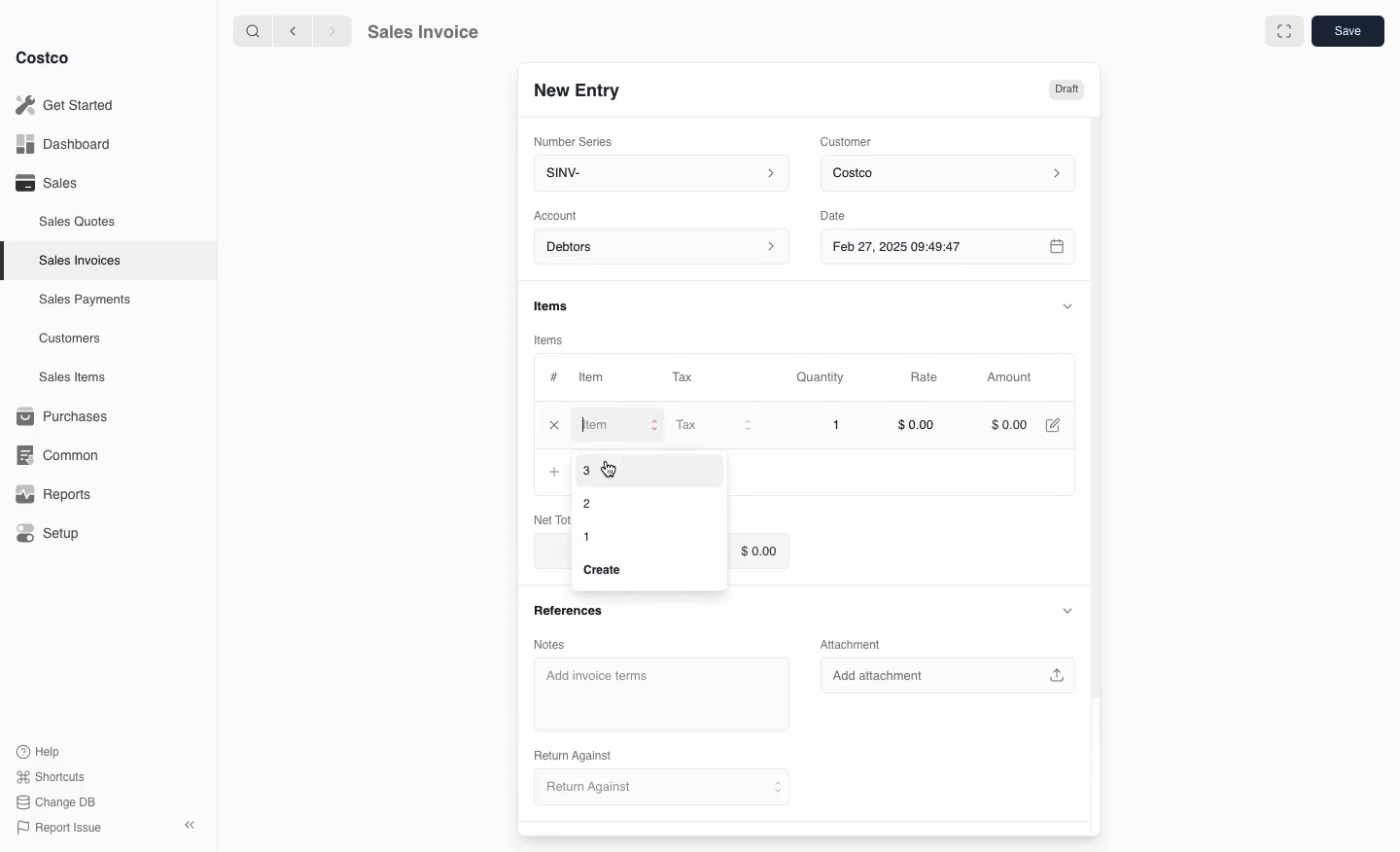 This screenshot has width=1400, height=852. Describe the element at coordinates (1007, 378) in the screenshot. I see `Amount` at that location.